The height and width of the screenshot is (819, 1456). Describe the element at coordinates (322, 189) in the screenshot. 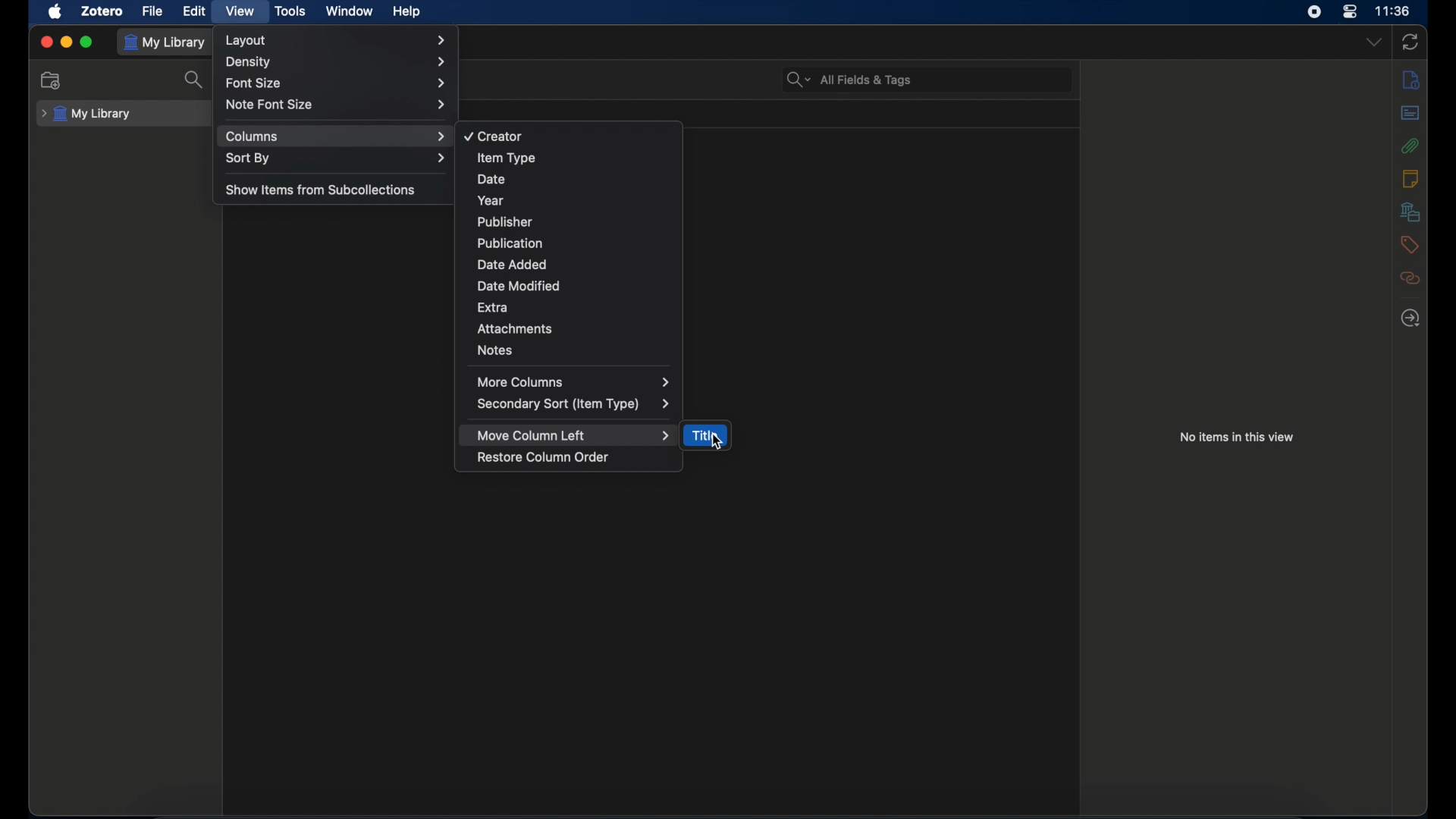

I see `show items from subcollections` at that location.